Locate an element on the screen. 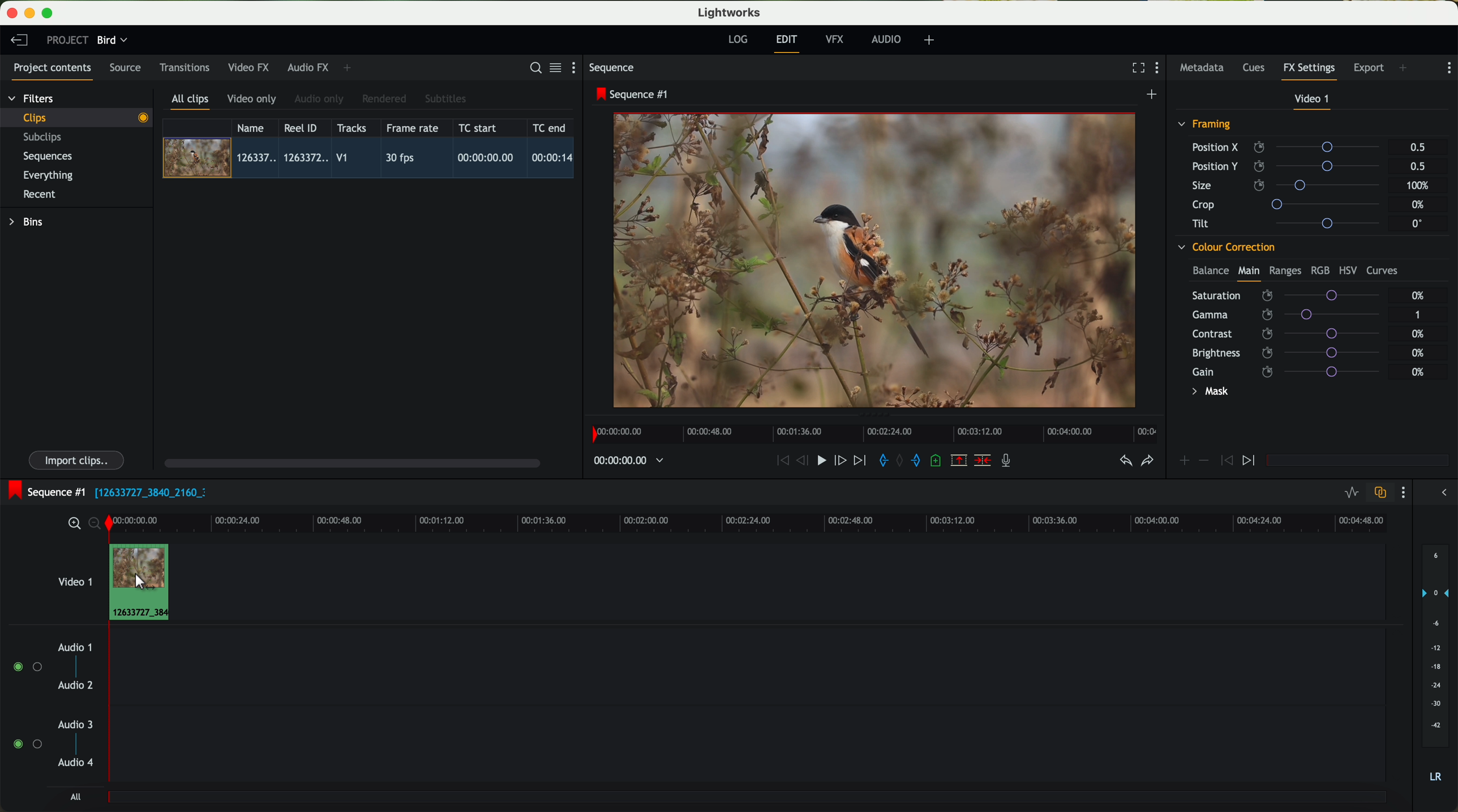 This screenshot has width=1458, height=812. remove the marked section is located at coordinates (960, 461).